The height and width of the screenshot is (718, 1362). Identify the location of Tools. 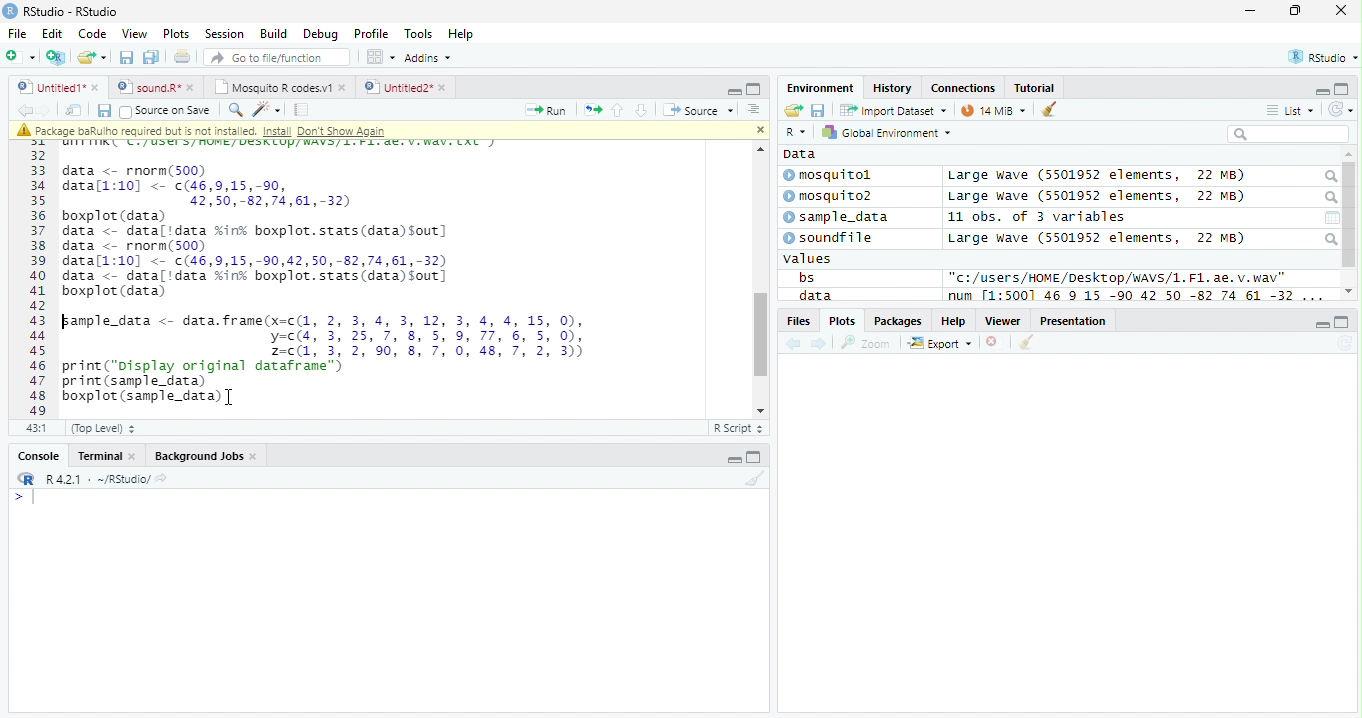
(418, 35).